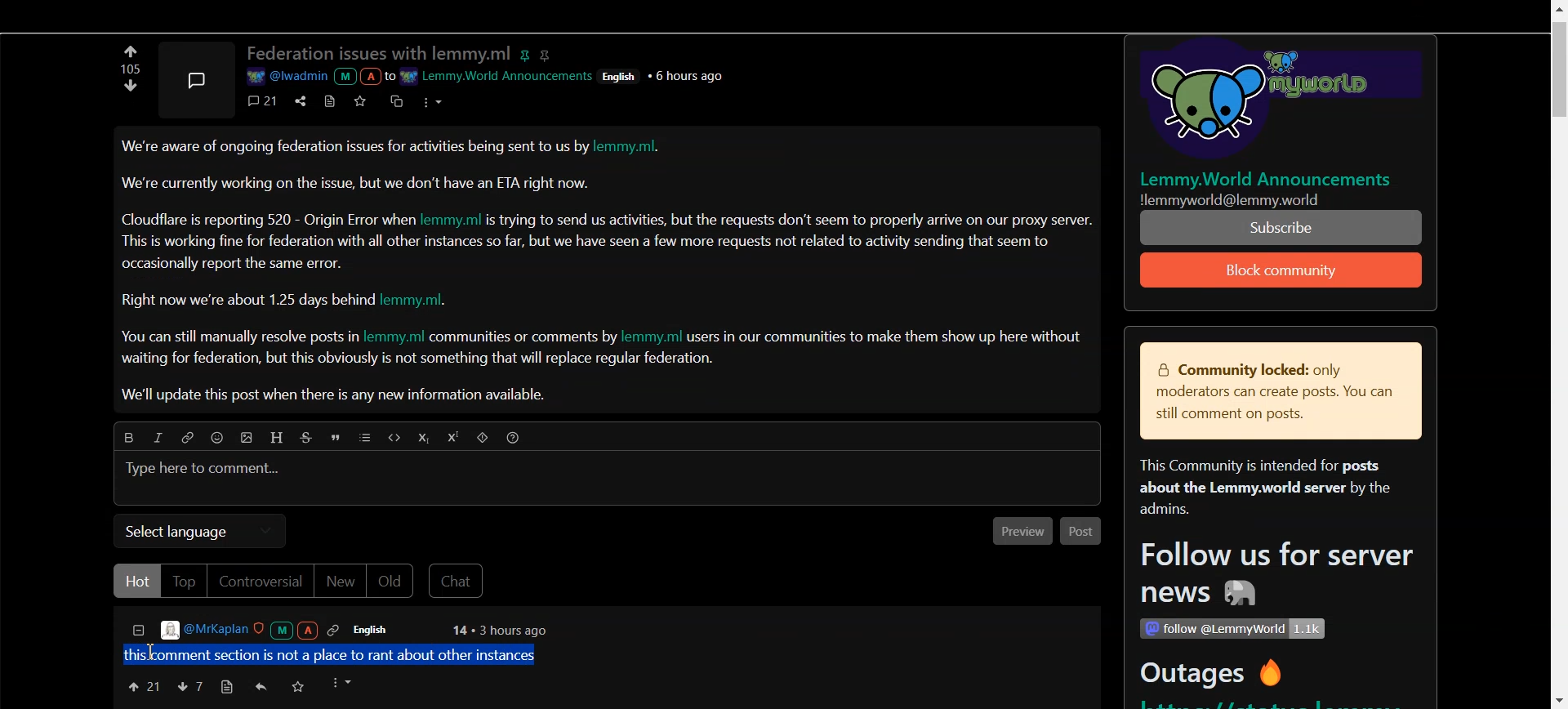 This screenshot has height=709, width=1568. I want to click on a @iwaamin, so click(318, 77).